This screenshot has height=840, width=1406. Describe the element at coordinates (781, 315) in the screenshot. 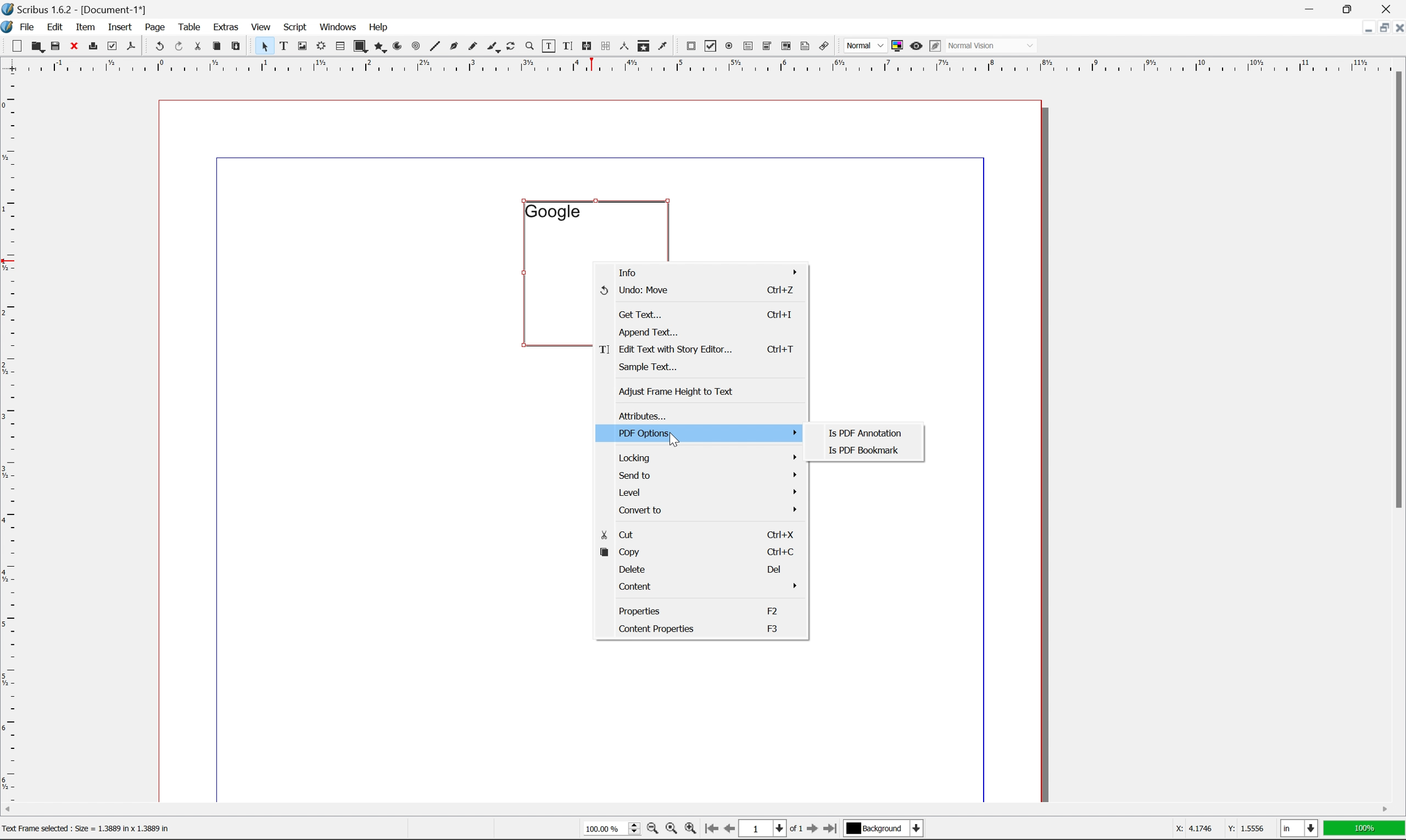

I see `ctrl+i` at that location.